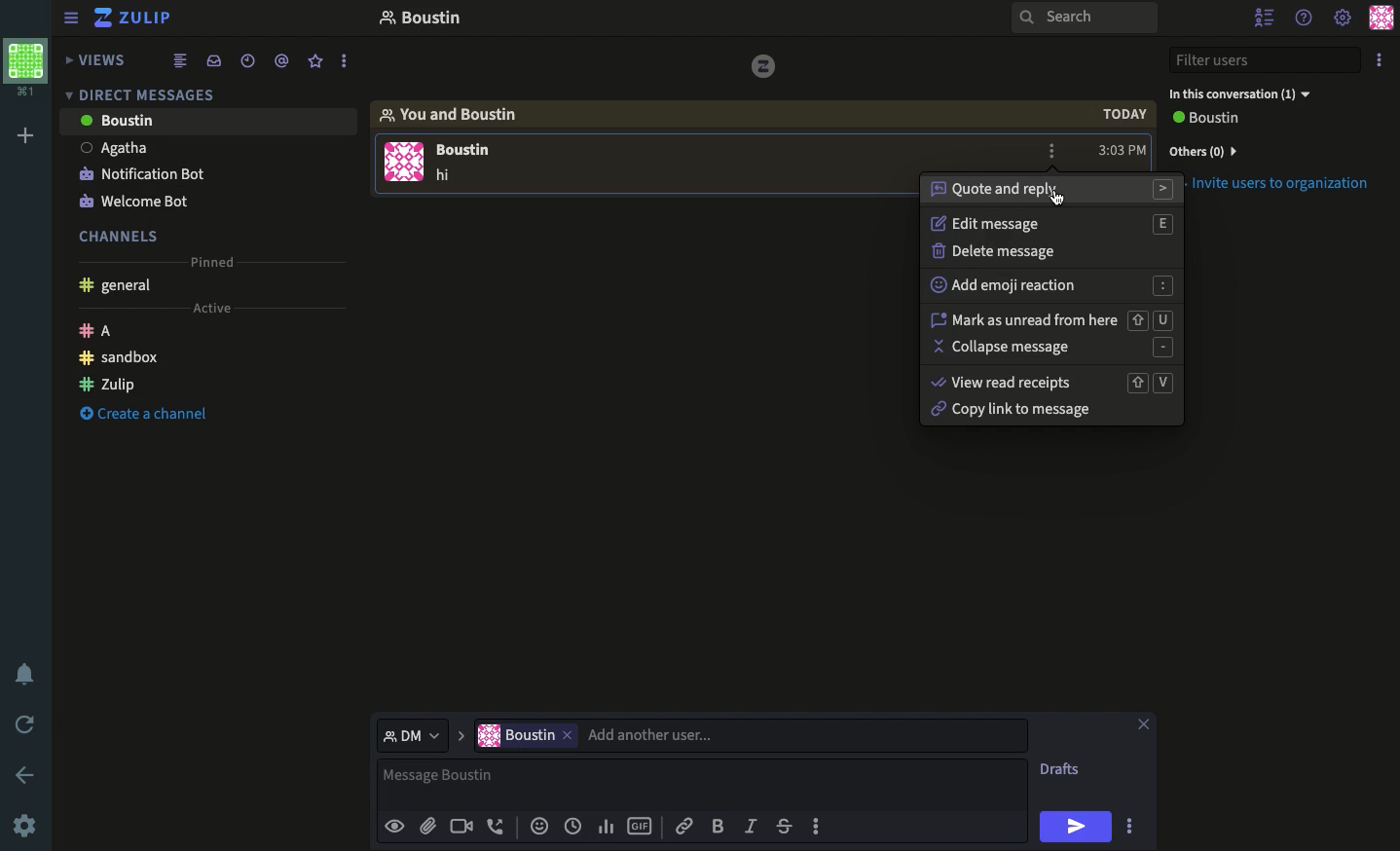 This screenshot has width=1400, height=851. Describe the element at coordinates (397, 825) in the screenshot. I see `Preview` at that location.